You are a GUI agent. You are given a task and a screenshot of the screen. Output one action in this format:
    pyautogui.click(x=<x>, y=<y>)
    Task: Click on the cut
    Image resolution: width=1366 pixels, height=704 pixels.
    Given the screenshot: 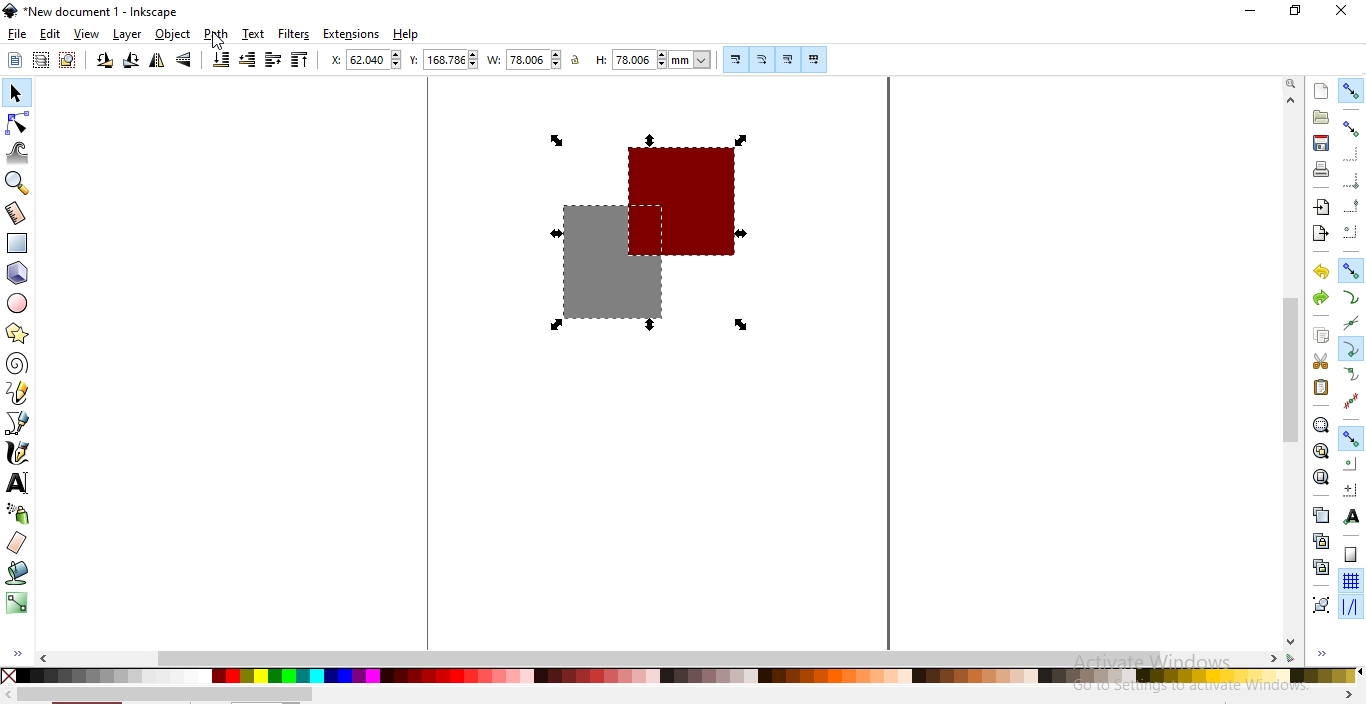 What is the action you would take?
    pyautogui.click(x=1320, y=362)
    